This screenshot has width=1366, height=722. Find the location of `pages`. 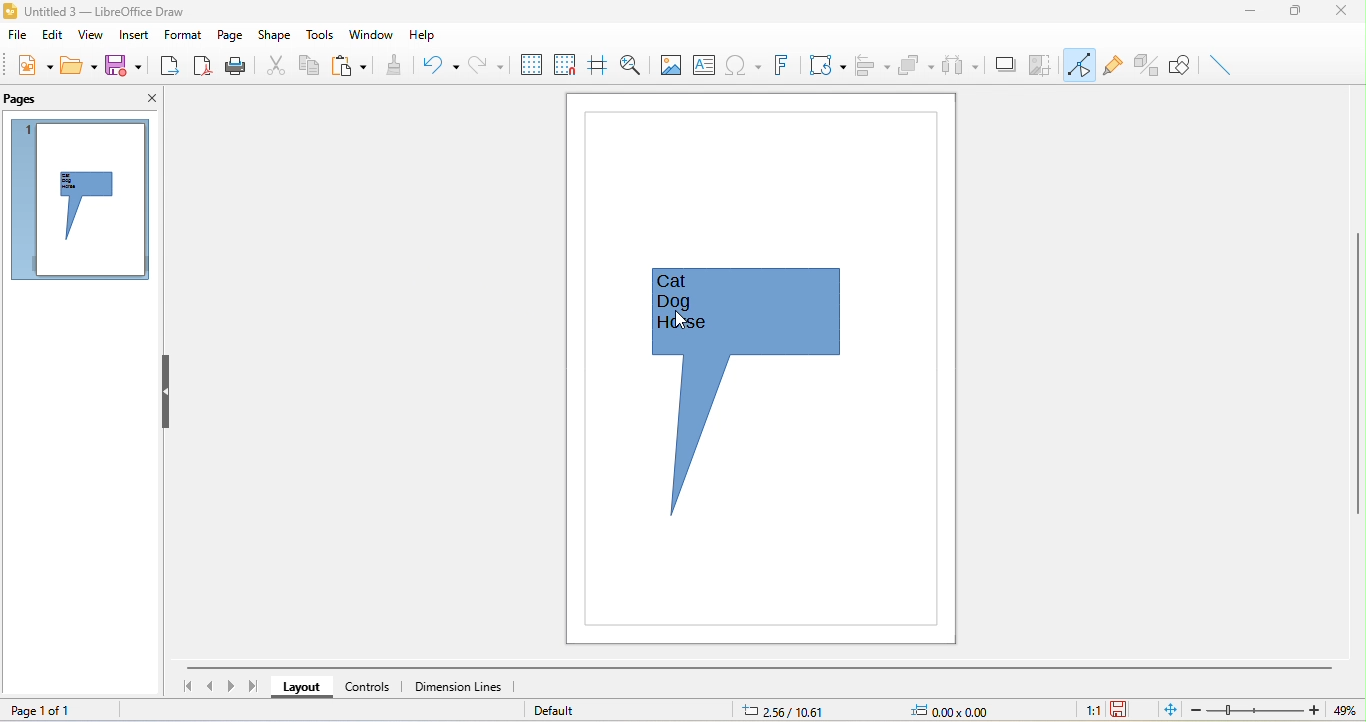

pages is located at coordinates (25, 98).